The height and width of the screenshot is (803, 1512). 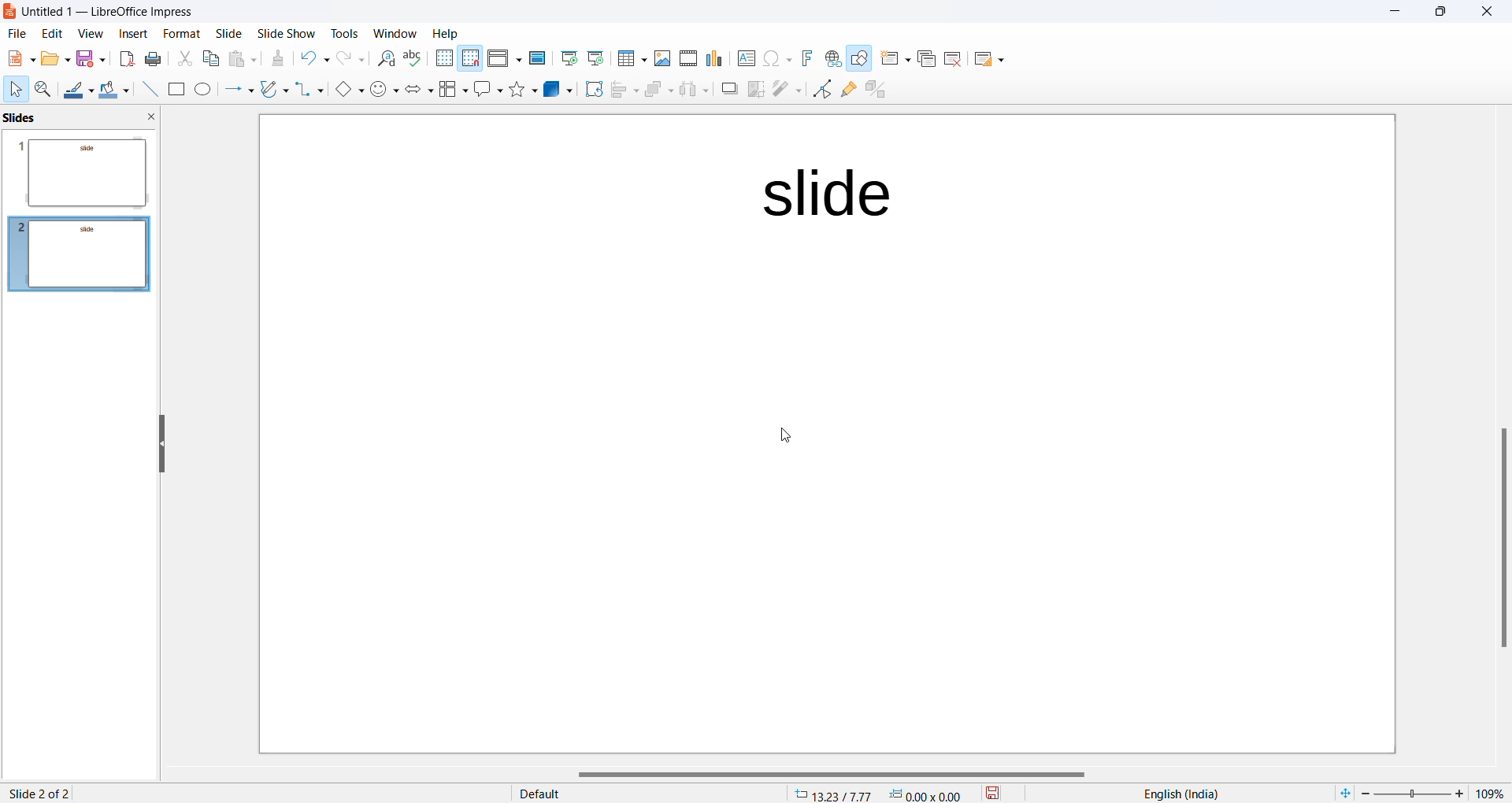 What do you see at coordinates (244, 58) in the screenshot?
I see `Paste options` at bounding box center [244, 58].